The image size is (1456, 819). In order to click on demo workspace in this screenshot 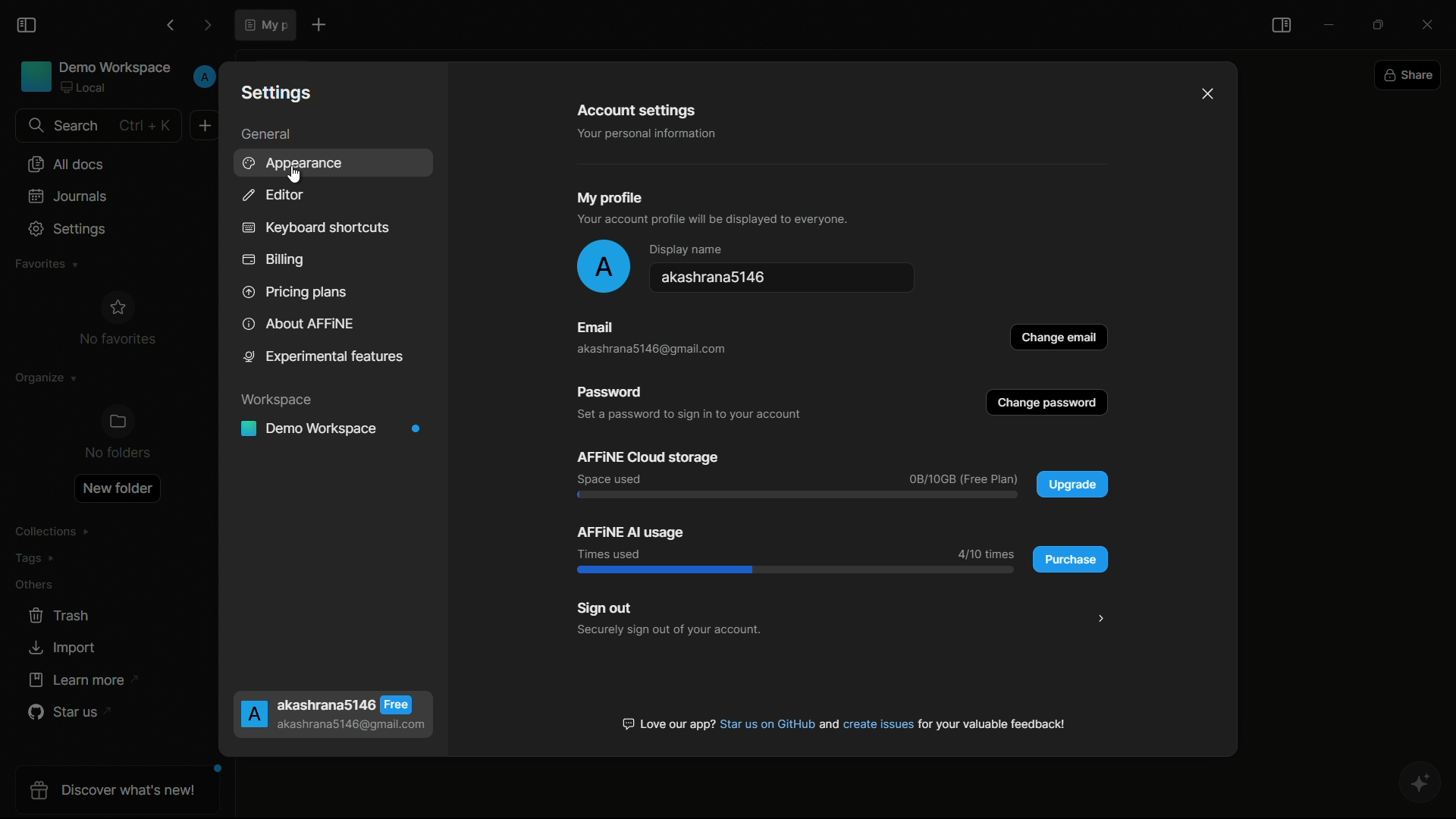, I will do `click(335, 429)`.